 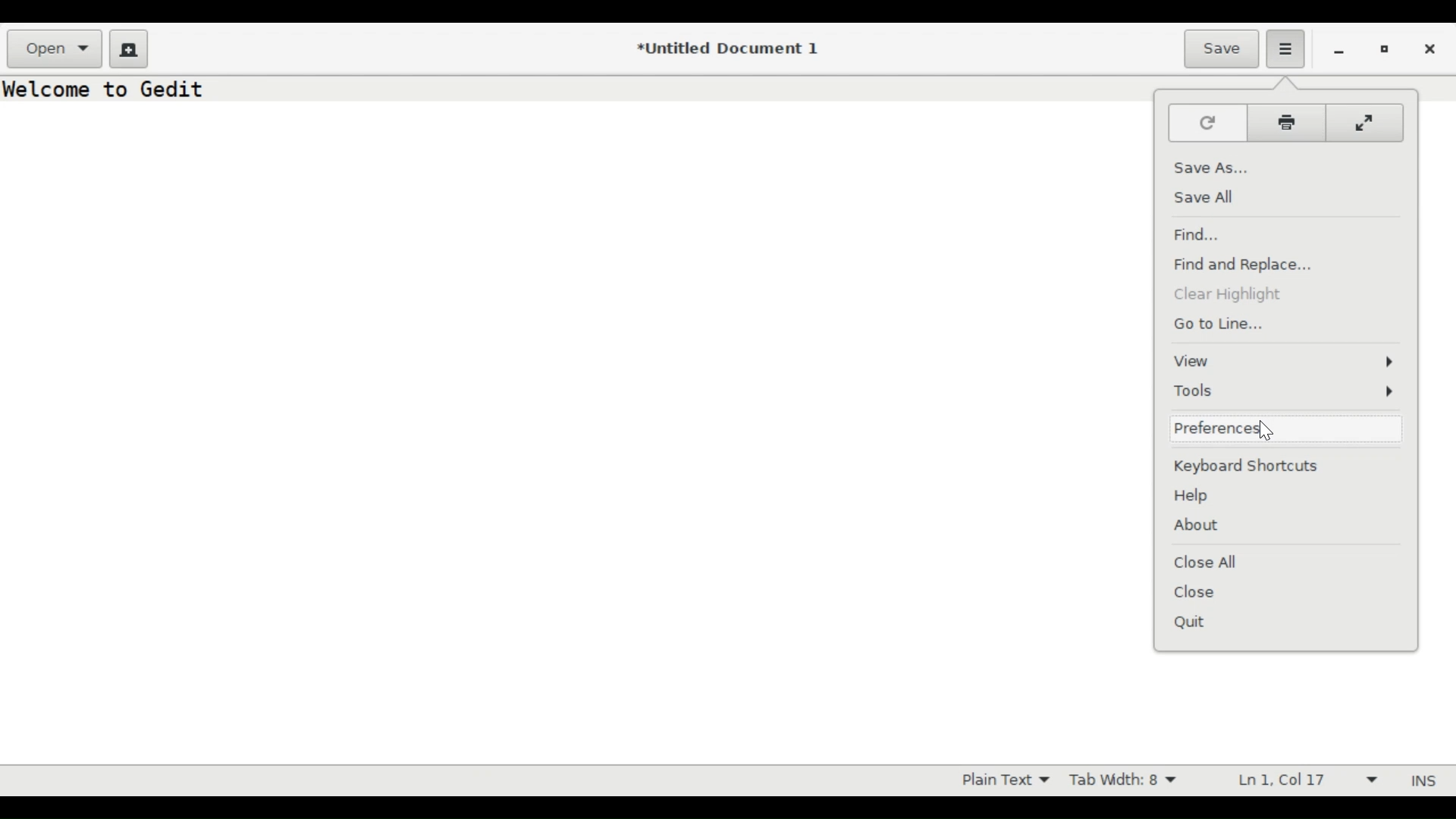 What do you see at coordinates (1198, 624) in the screenshot?
I see `Quit` at bounding box center [1198, 624].